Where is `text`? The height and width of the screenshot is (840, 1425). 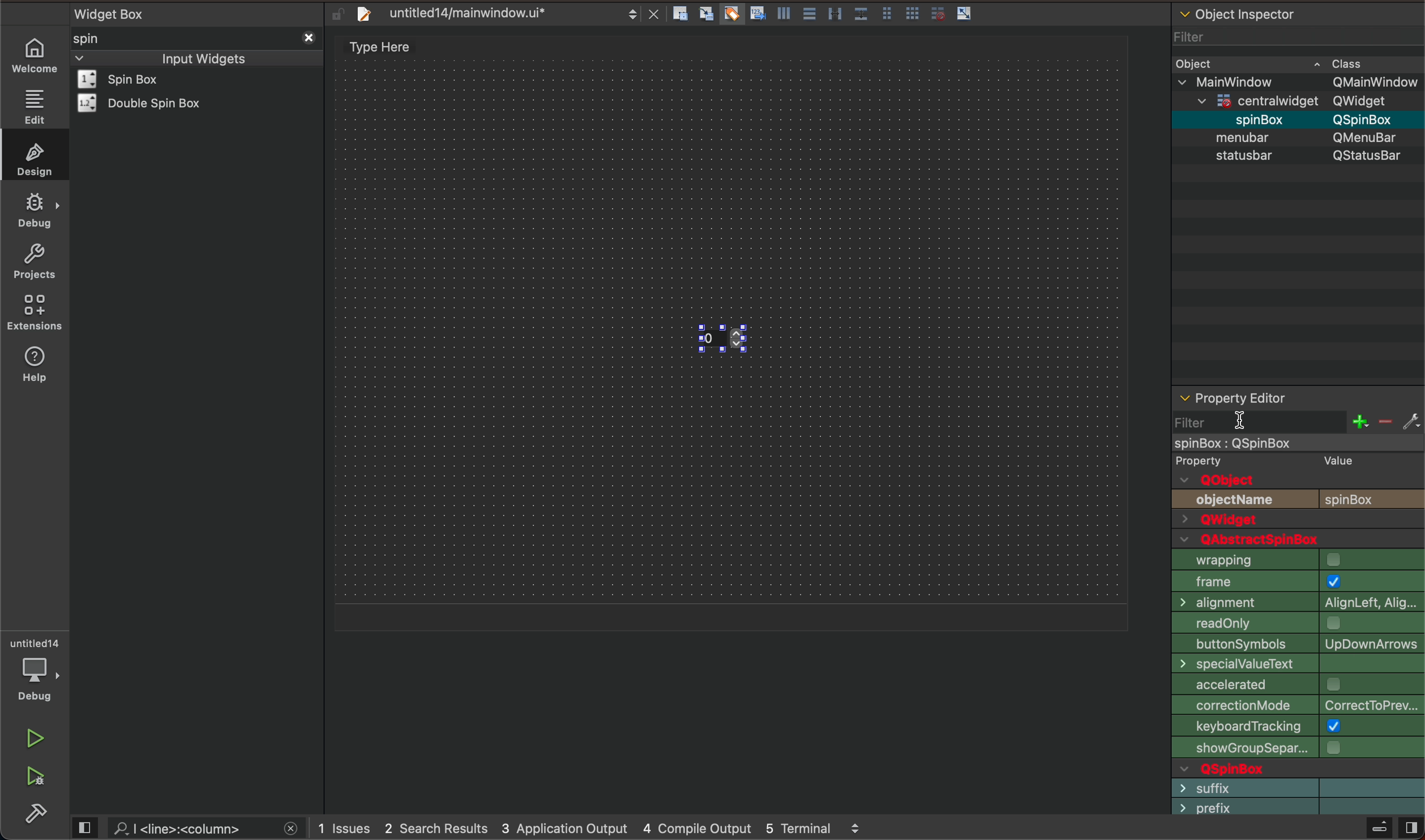
text is located at coordinates (1213, 460).